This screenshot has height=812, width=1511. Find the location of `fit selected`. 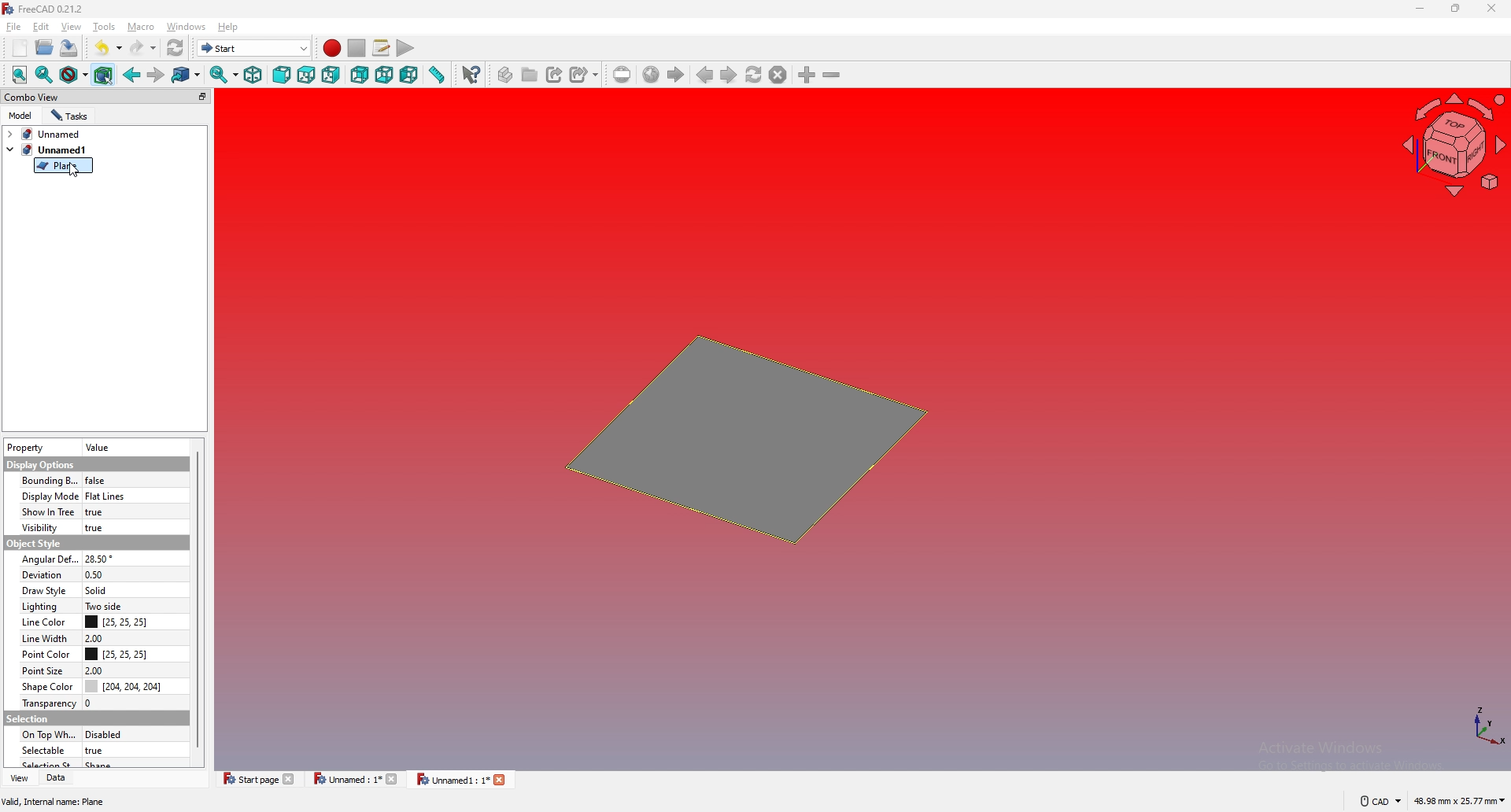

fit selected is located at coordinates (44, 75).